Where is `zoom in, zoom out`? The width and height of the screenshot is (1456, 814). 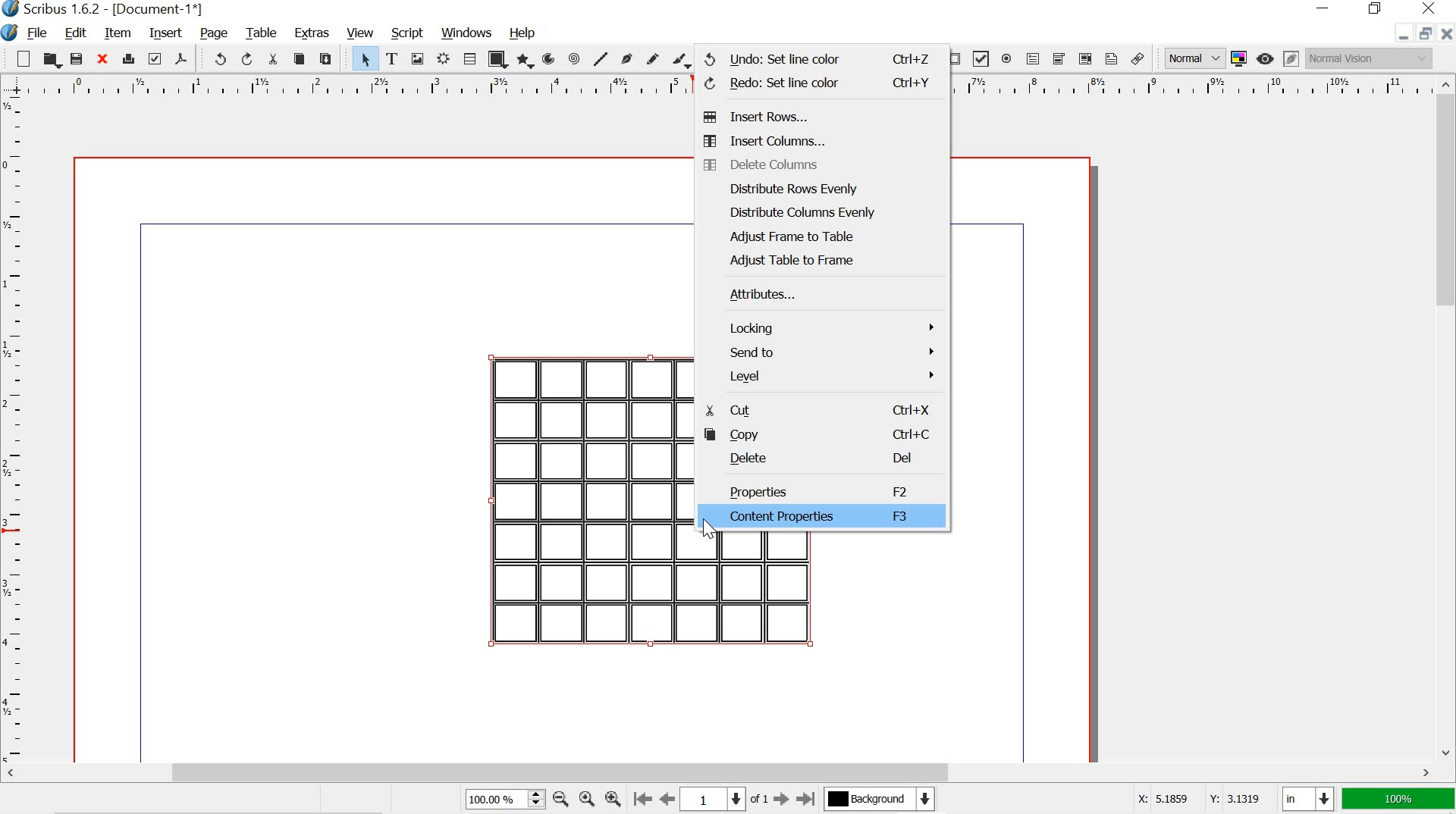
zoom in, zoom out is located at coordinates (535, 800).